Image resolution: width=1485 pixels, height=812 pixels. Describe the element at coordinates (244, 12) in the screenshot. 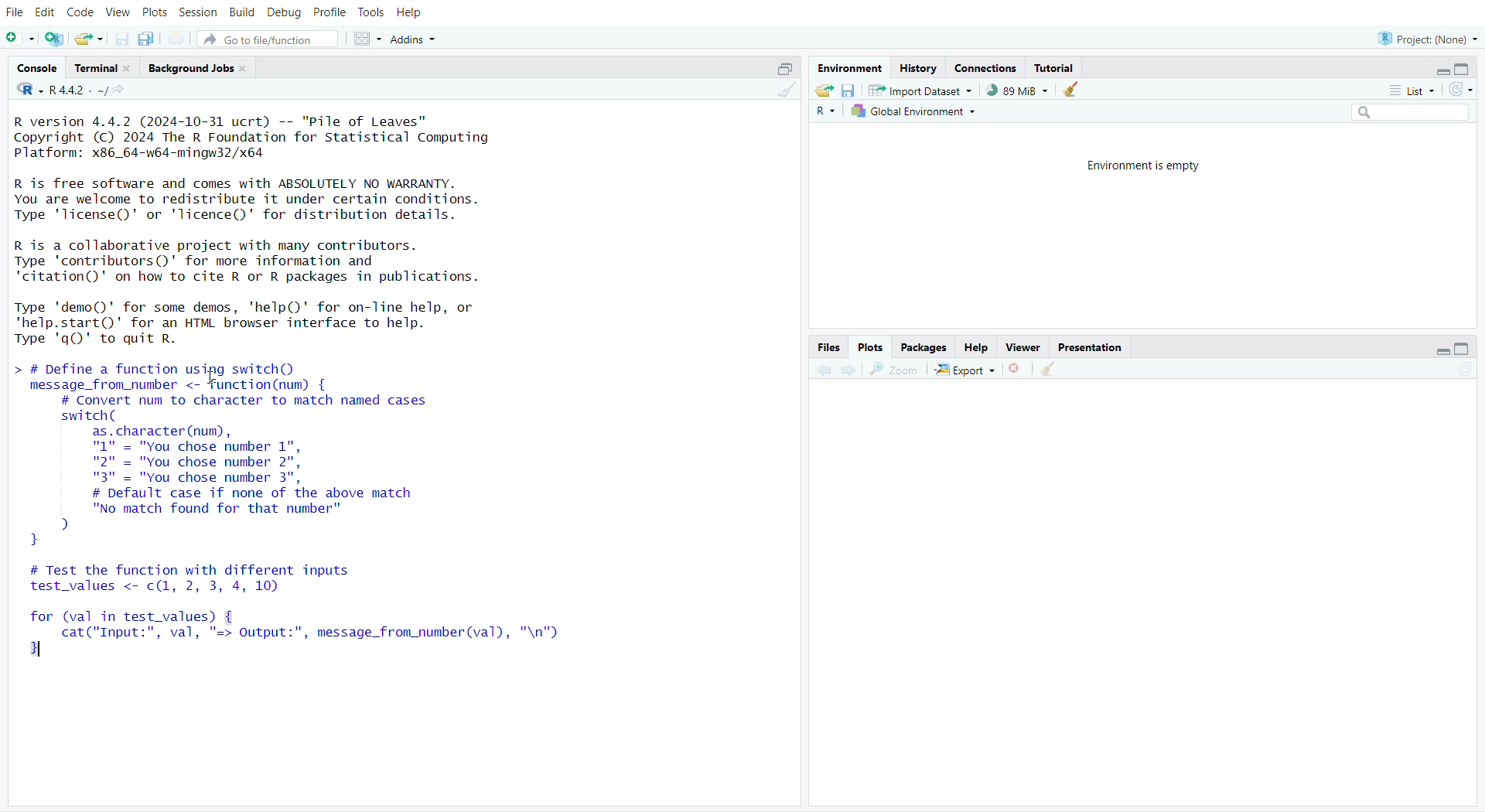

I see `Build` at that location.